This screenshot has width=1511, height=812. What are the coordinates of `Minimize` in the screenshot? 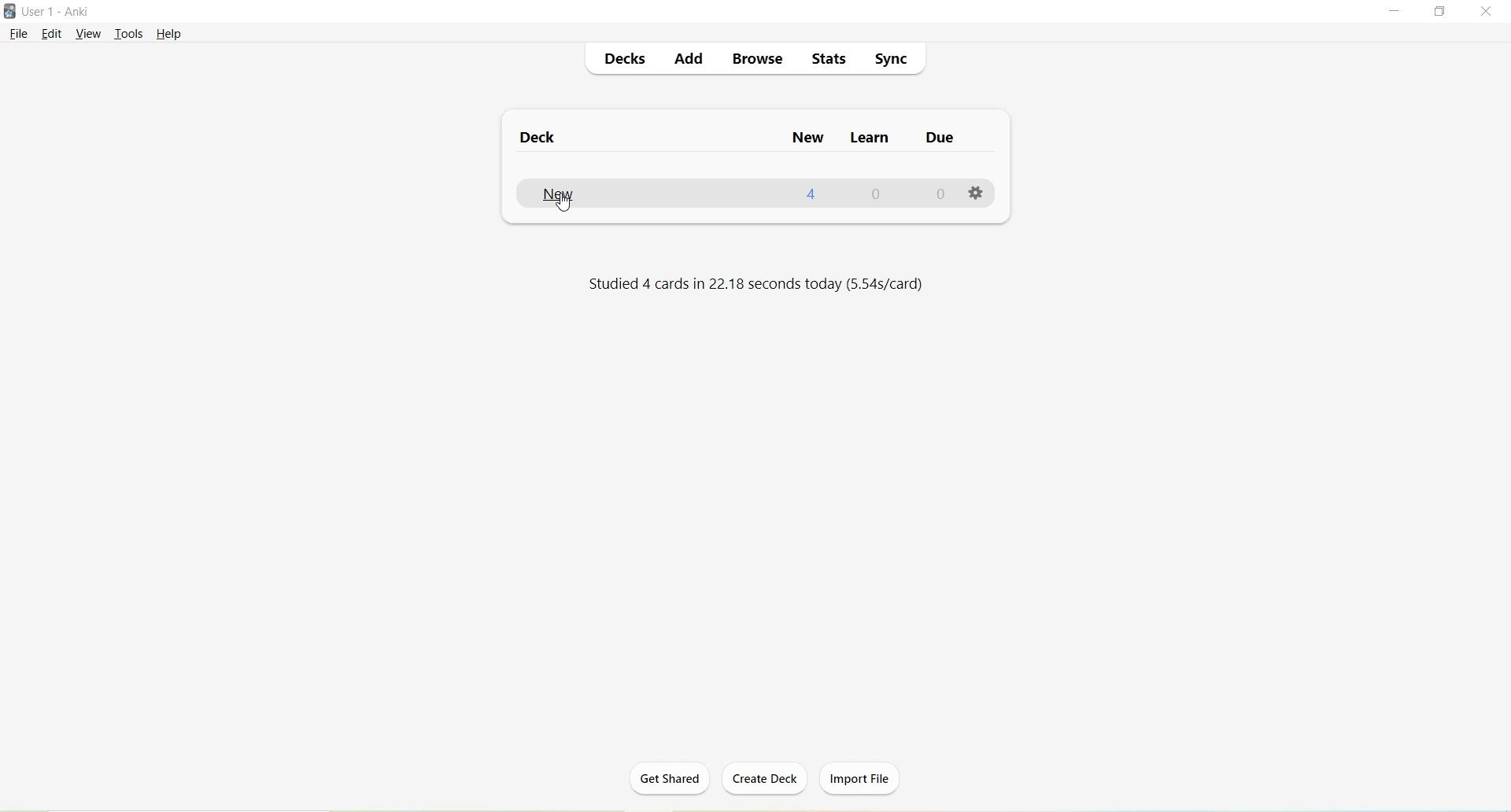 It's located at (1395, 11).